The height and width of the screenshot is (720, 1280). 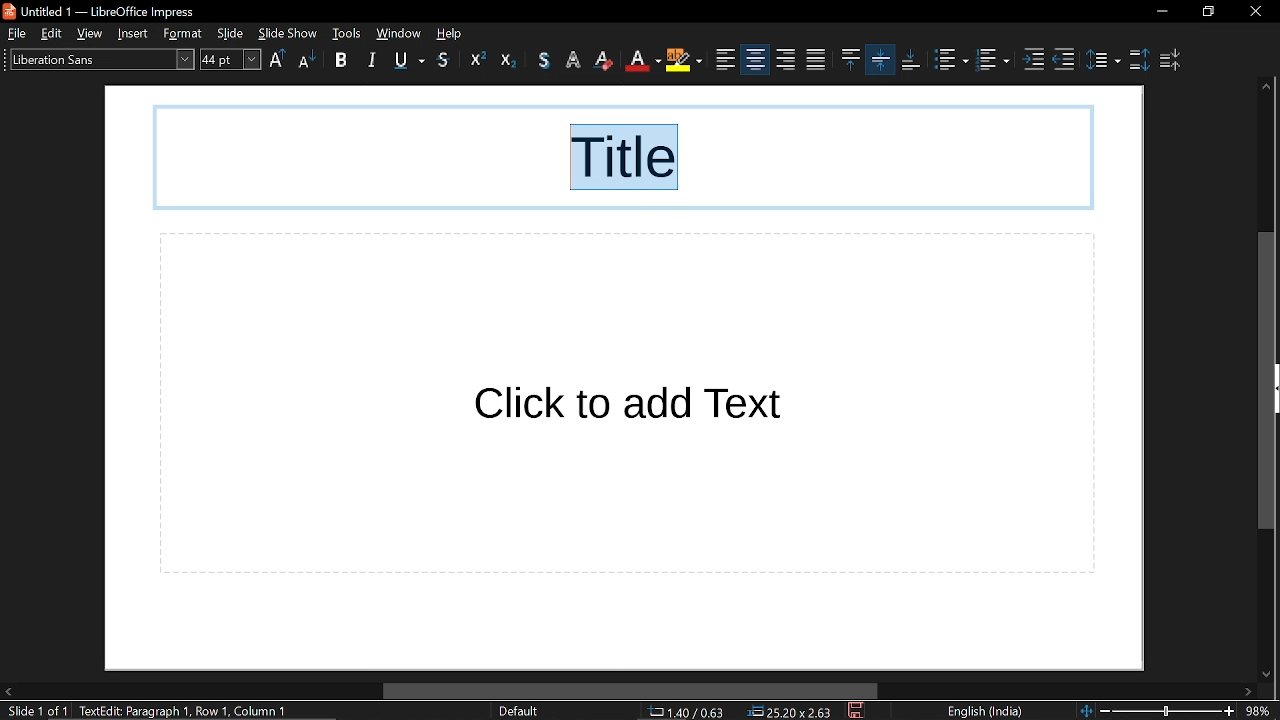 What do you see at coordinates (574, 60) in the screenshot?
I see `erase` at bounding box center [574, 60].